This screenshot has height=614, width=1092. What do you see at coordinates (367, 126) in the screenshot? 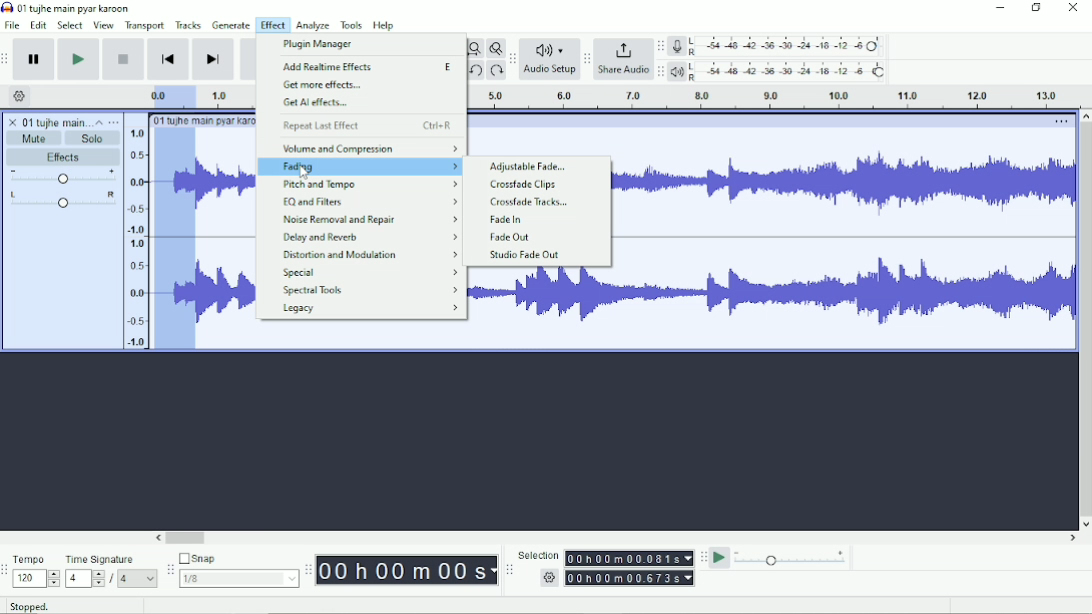
I see `Repeat Last Effect` at bounding box center [367, 126].